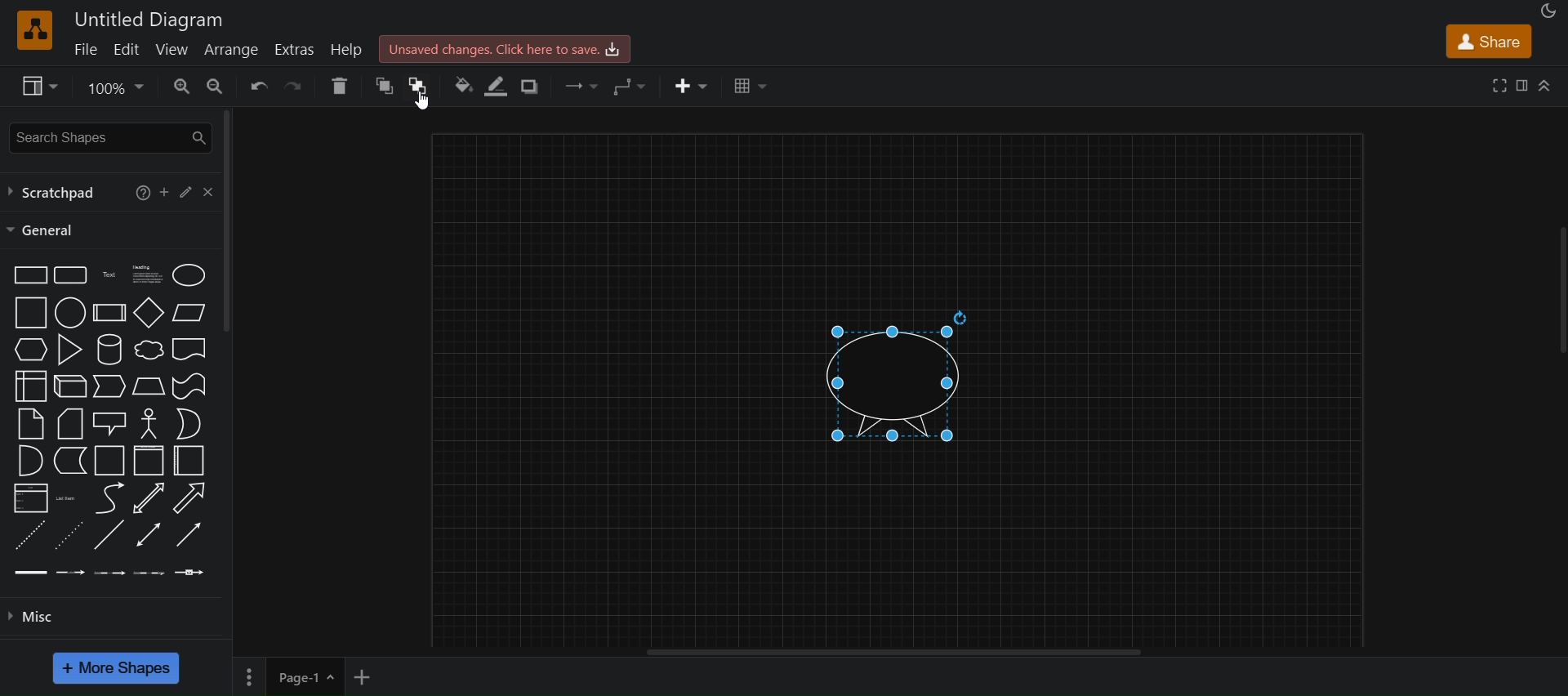 The height and width of the screenshot is (696, 1568). Describe the element at coordinates (148, 386) in the screenshot. I see `trapezoid` at that location.